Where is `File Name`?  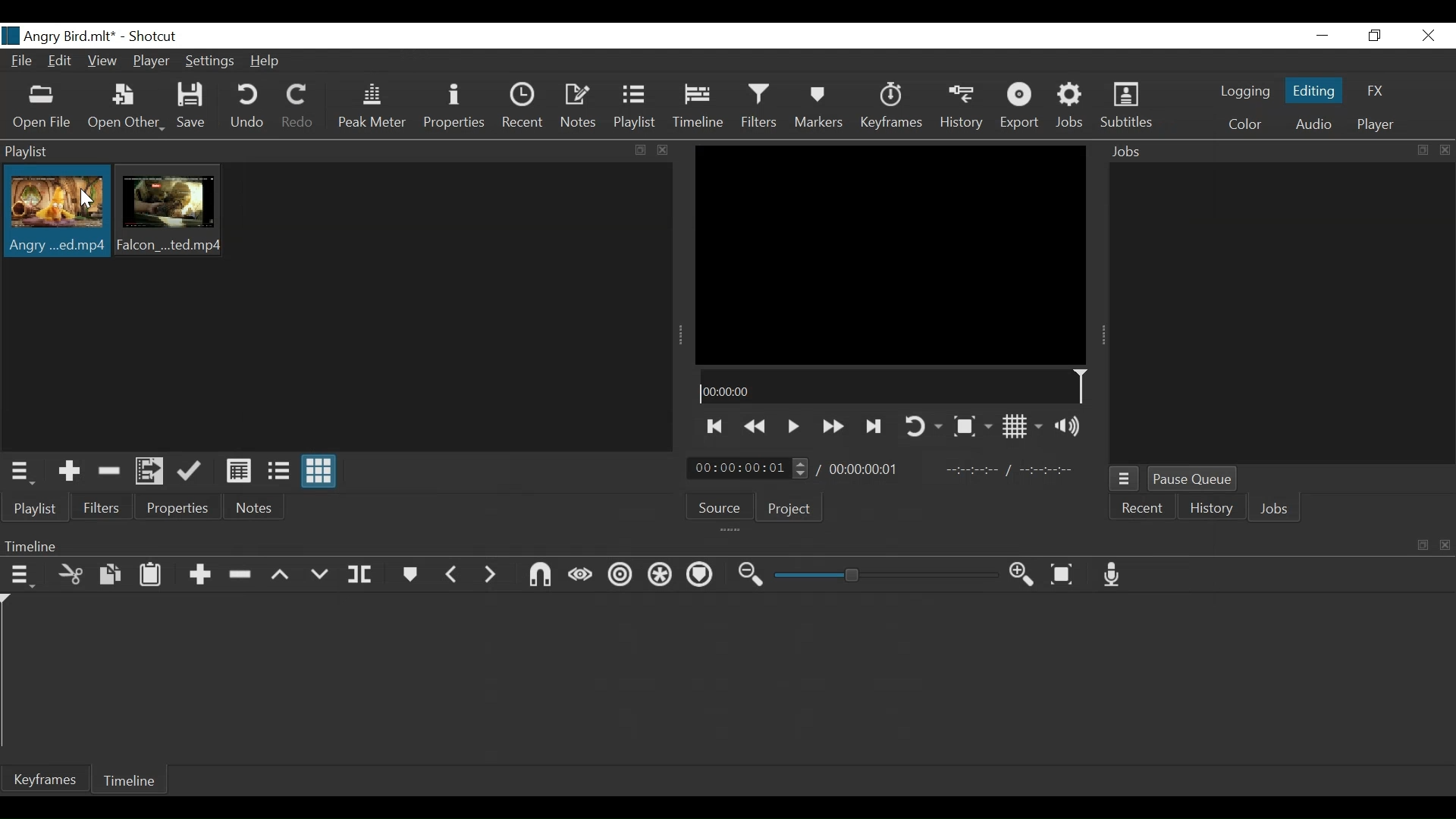
File Name is located at coordinates (62, 36).